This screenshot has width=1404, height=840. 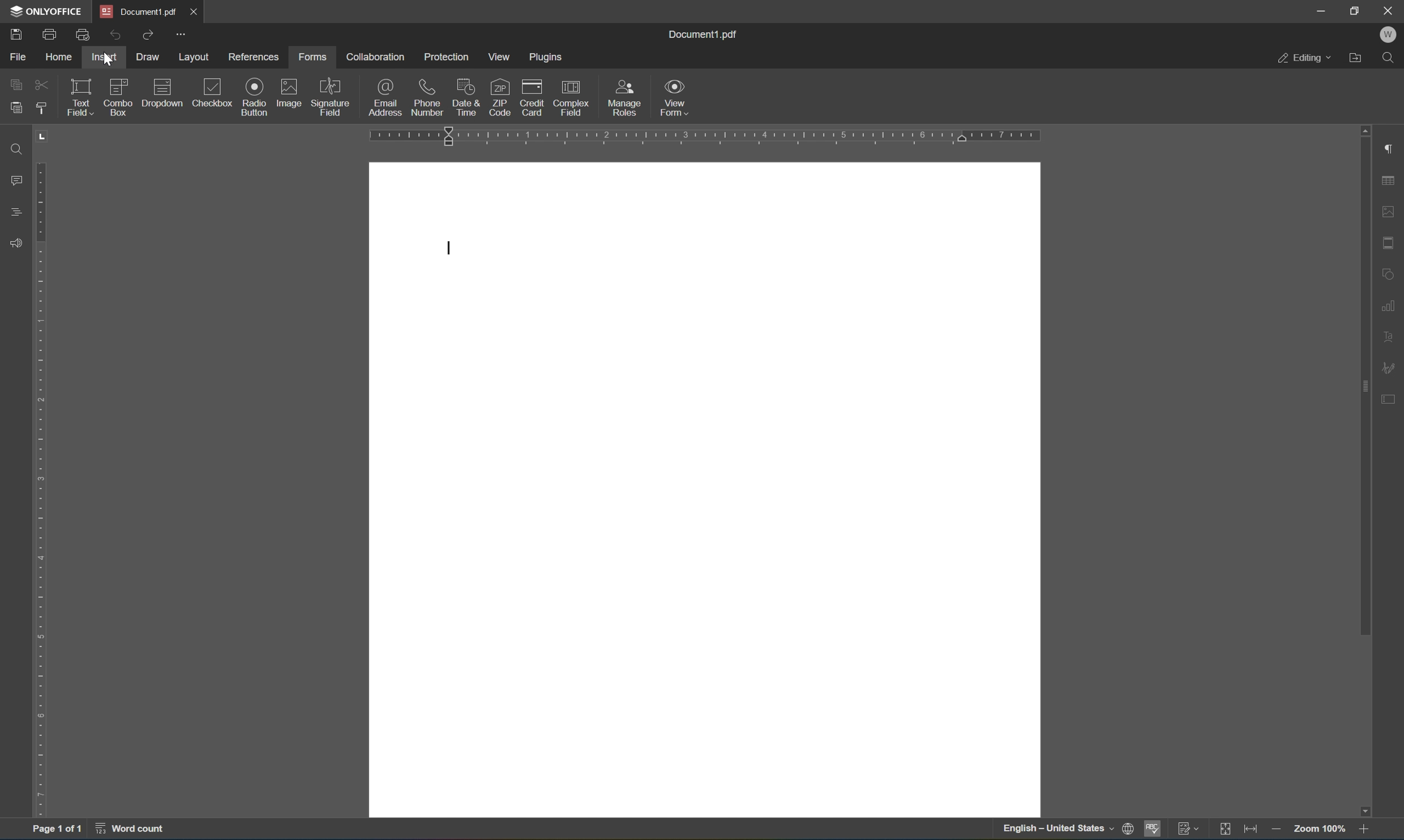 What do you see at coordinates (1389, 181) in the screenshot?
I see `Table settings` at bounding box center [1389, 181].